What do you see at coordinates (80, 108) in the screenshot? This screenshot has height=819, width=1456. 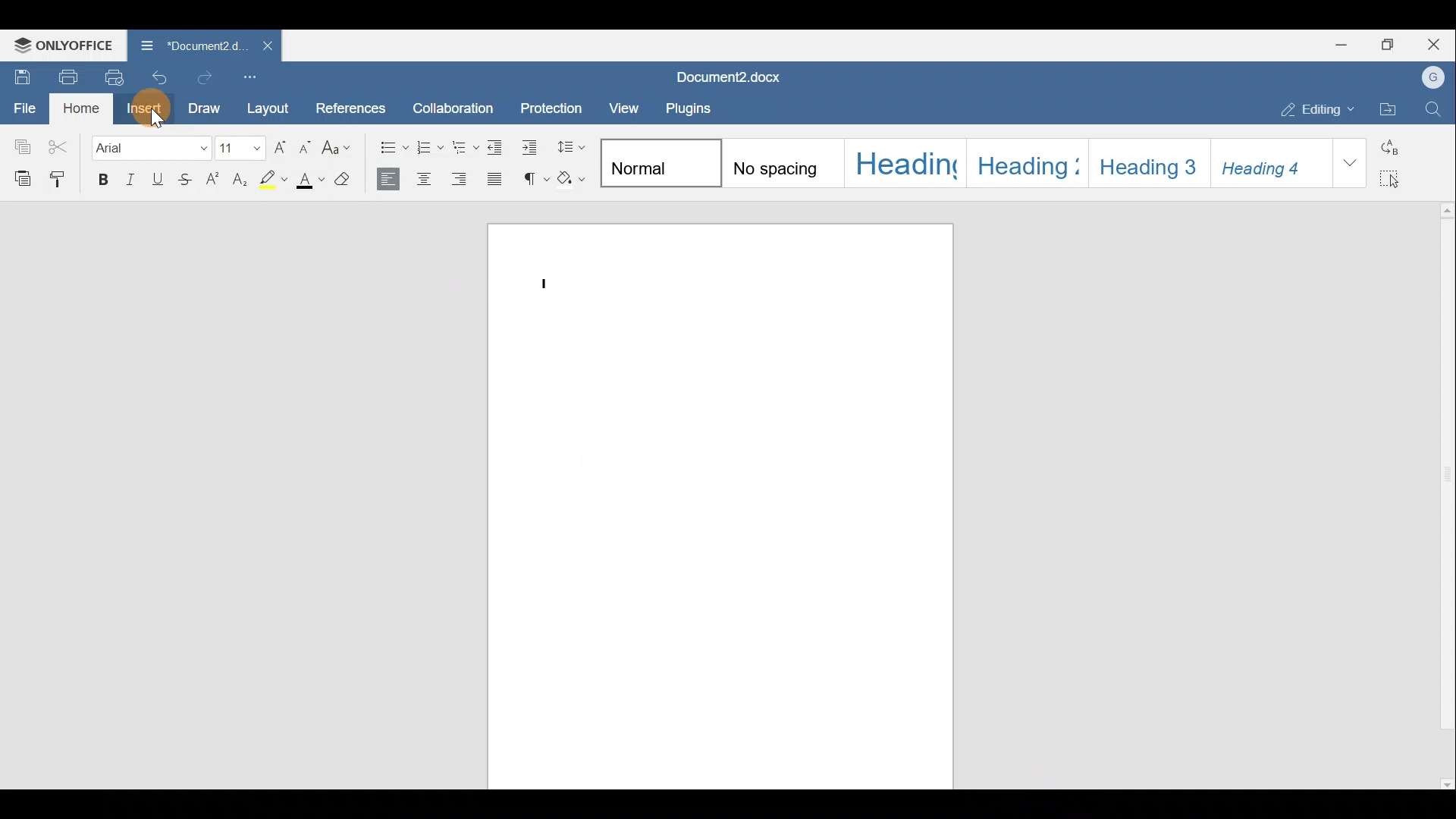 I see `Home` at bounding box center [80, 108].